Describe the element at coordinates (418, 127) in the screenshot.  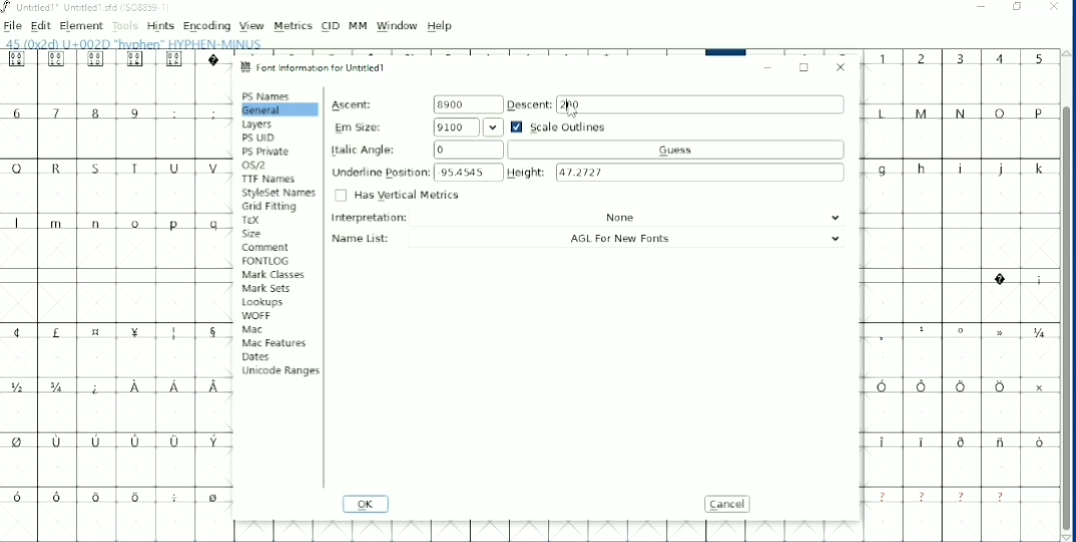
I see `Em Size` at that location.